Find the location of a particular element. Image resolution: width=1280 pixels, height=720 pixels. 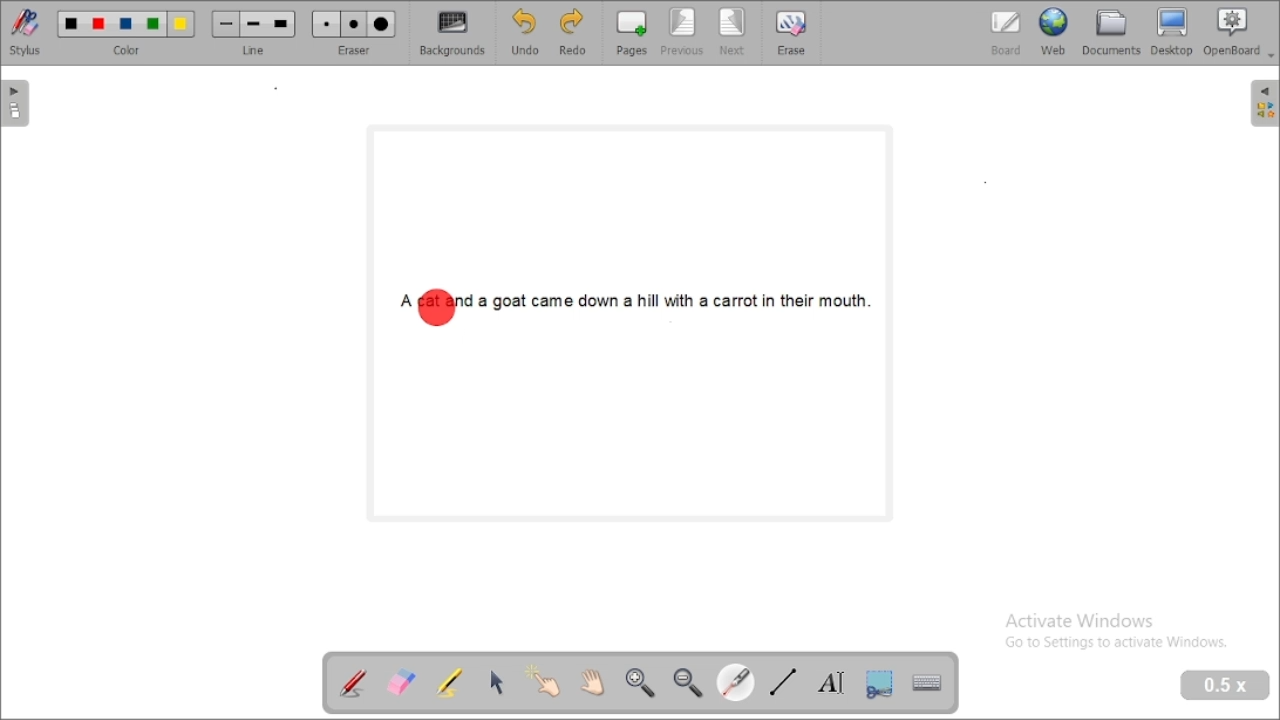

sidebar settings is located at coordinates (1263, 104).